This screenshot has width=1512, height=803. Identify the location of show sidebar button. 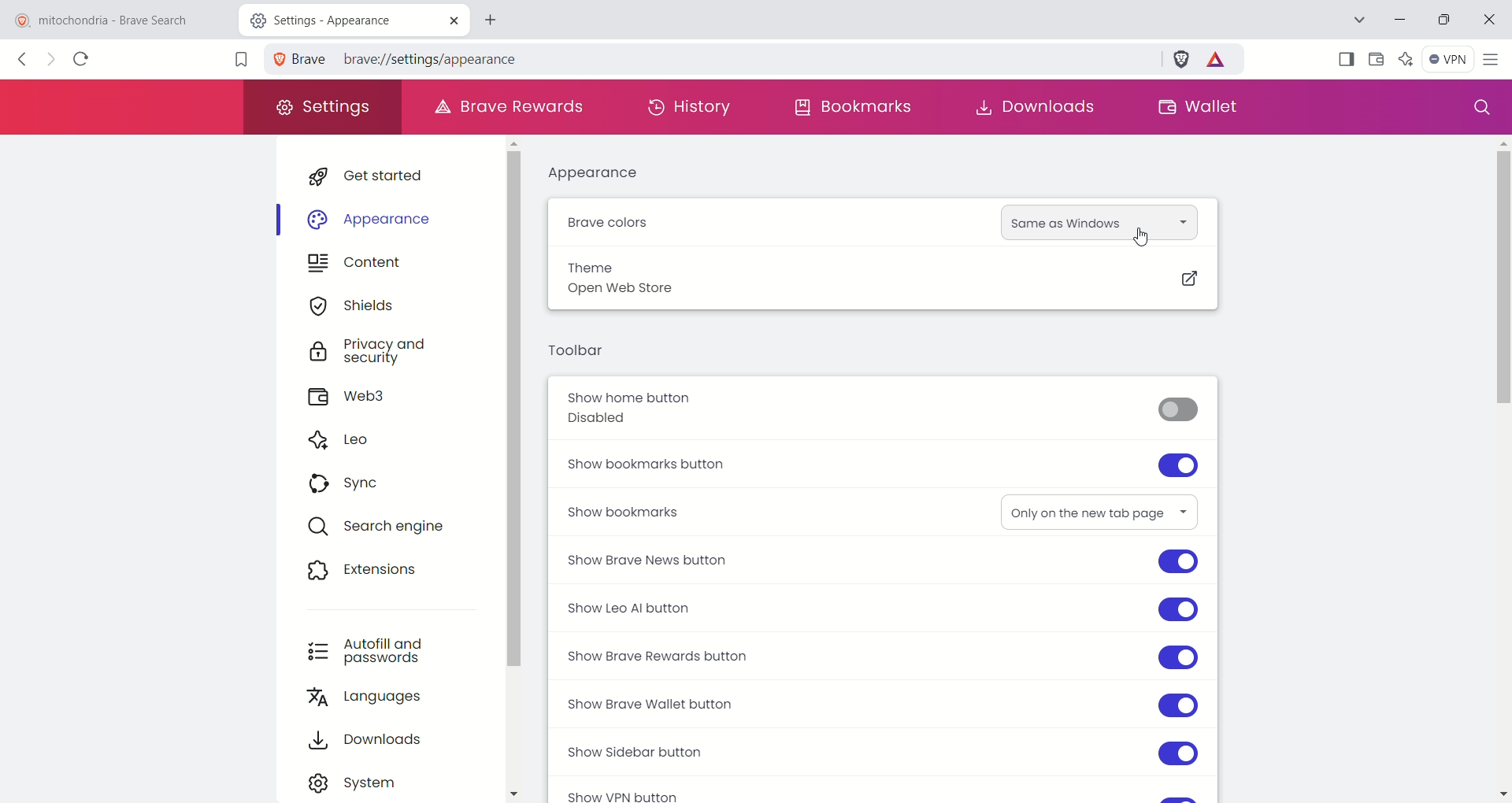
(878, 753).